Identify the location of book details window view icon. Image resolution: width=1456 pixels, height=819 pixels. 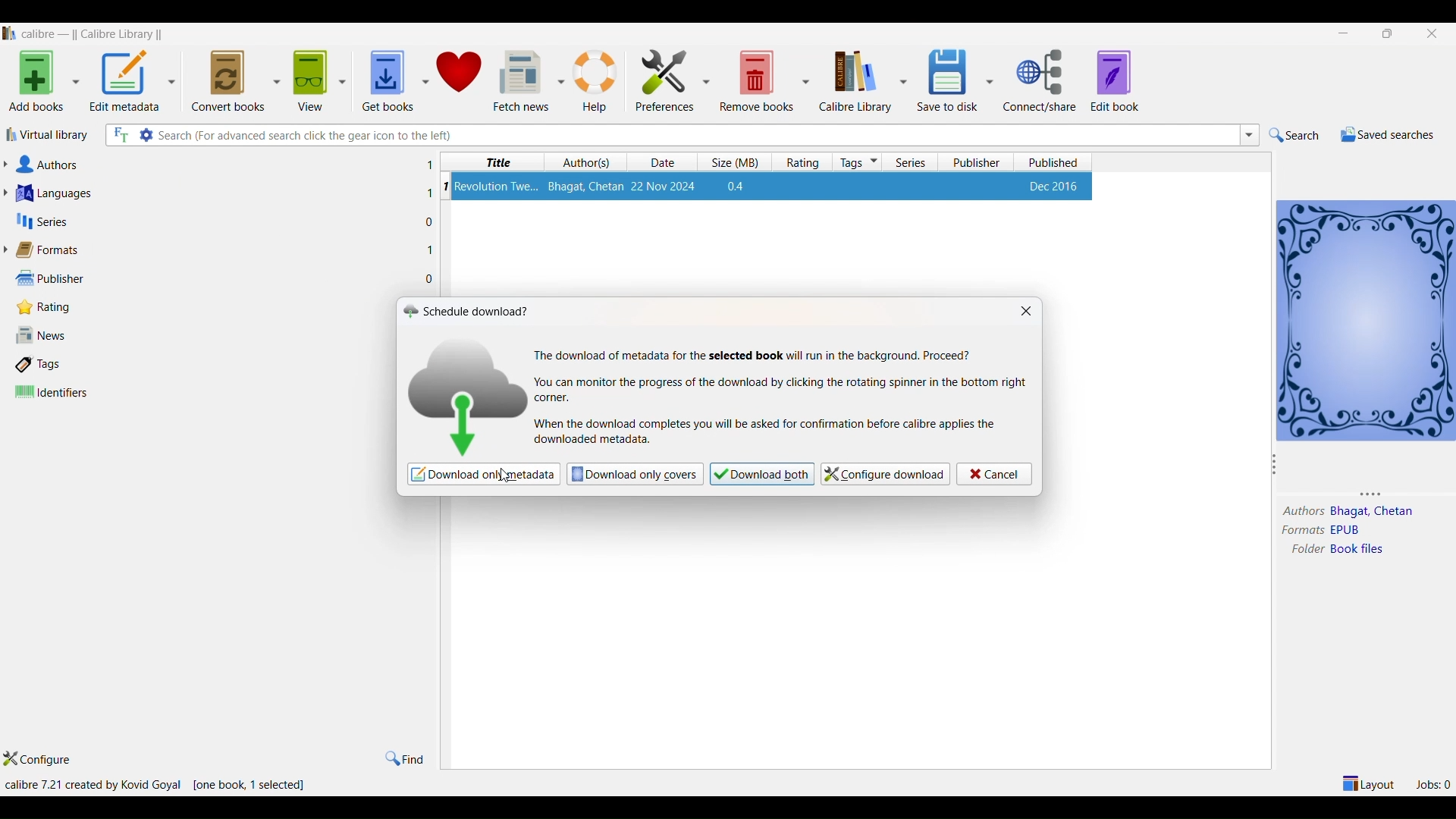
(1366, 318).